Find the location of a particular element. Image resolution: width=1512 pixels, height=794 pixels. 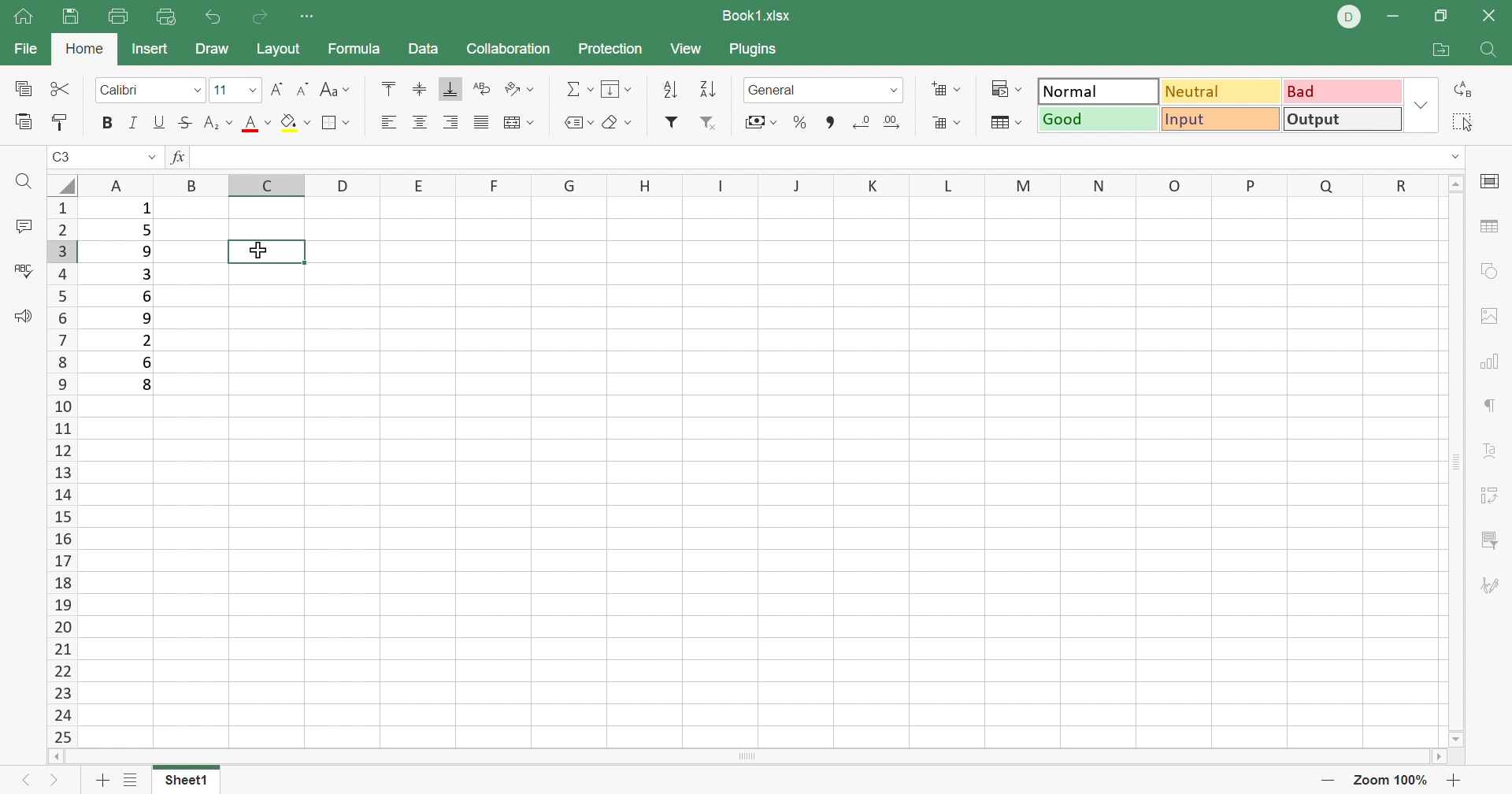

Output is located at coordinates (1344, 120).